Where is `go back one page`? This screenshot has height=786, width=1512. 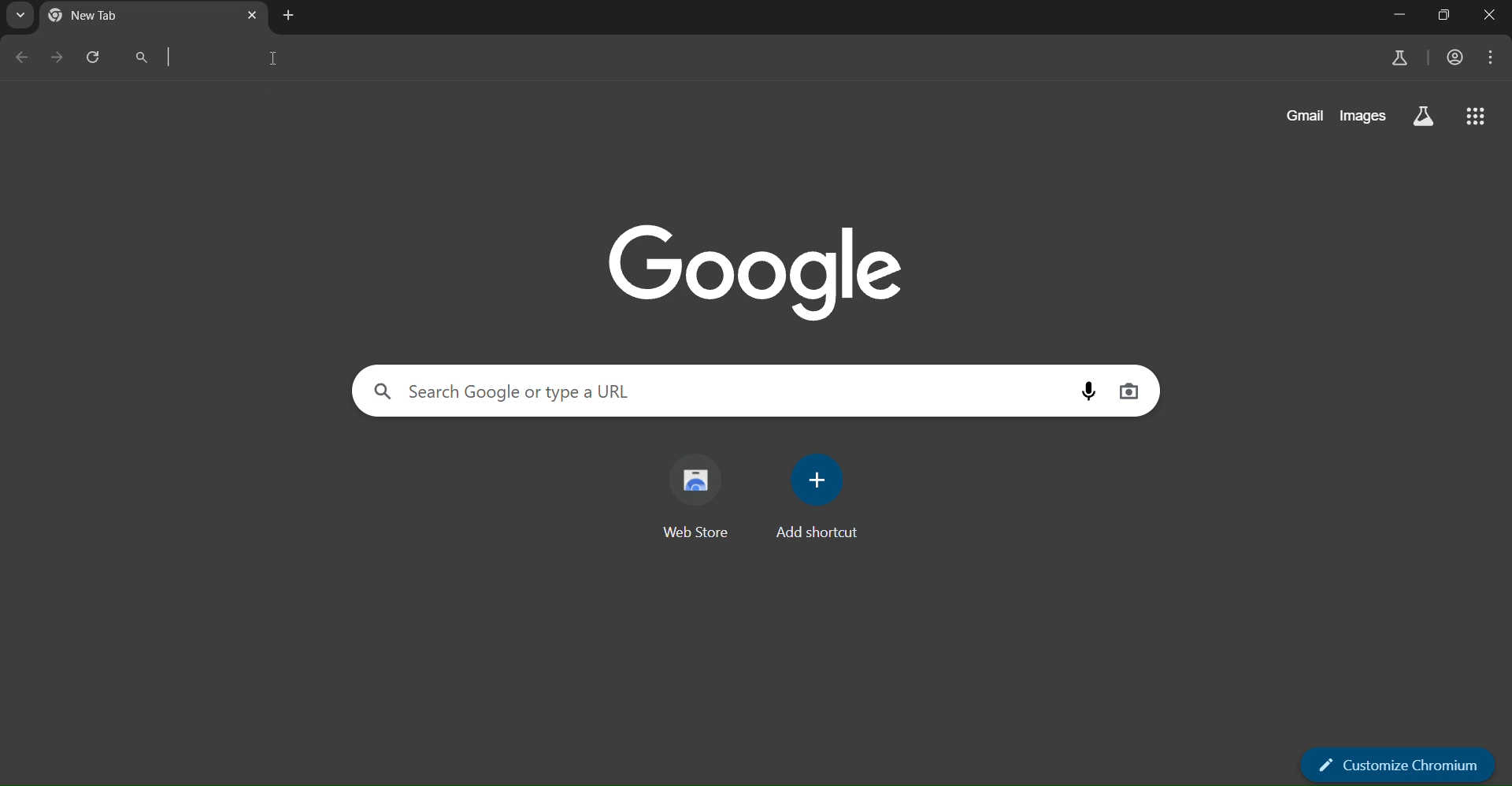
go back one page is located at coordinates (18, 58).